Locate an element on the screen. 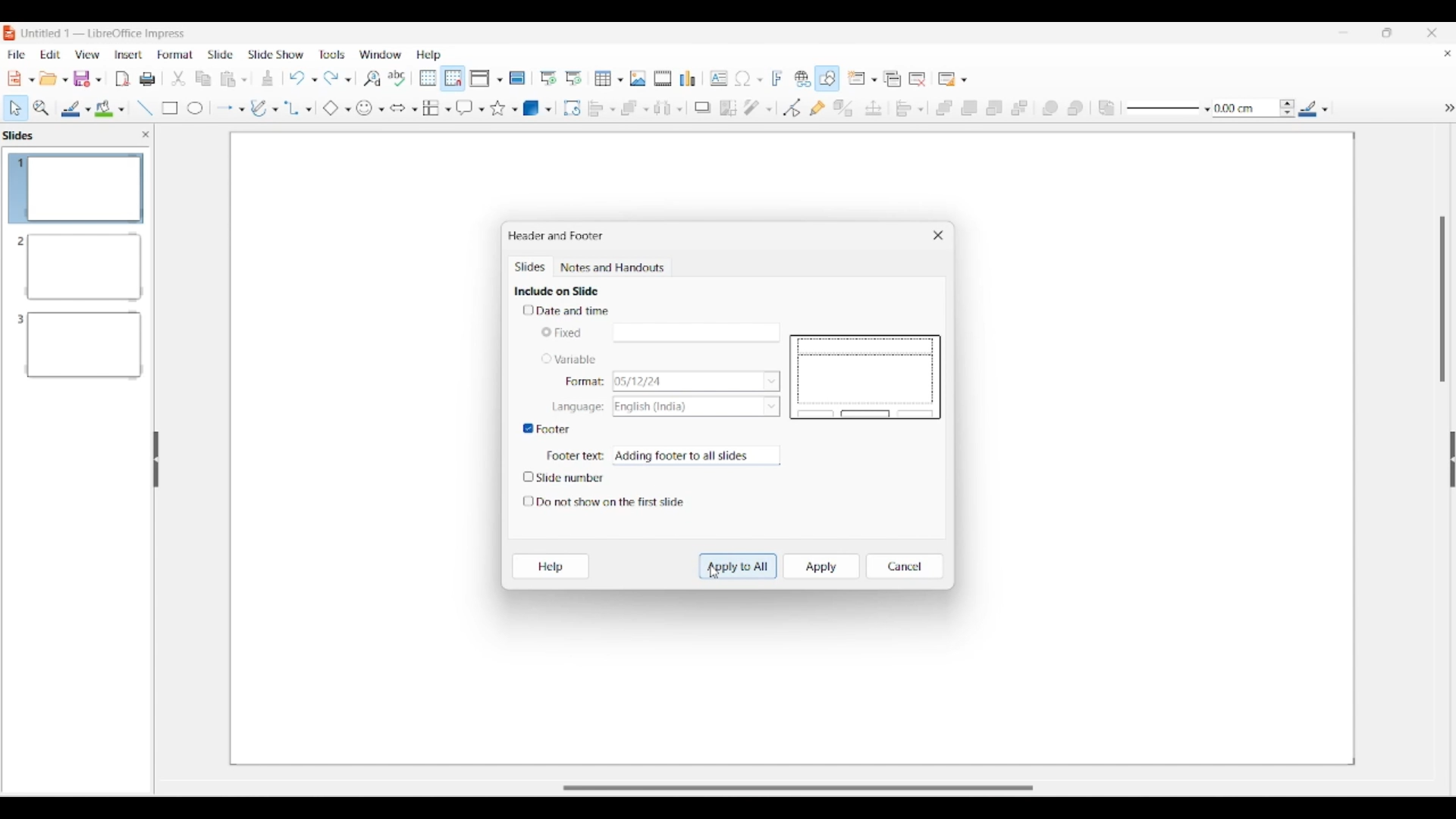 The image size is (1456, 819). Edit menu is located at coordinates (51, 55).